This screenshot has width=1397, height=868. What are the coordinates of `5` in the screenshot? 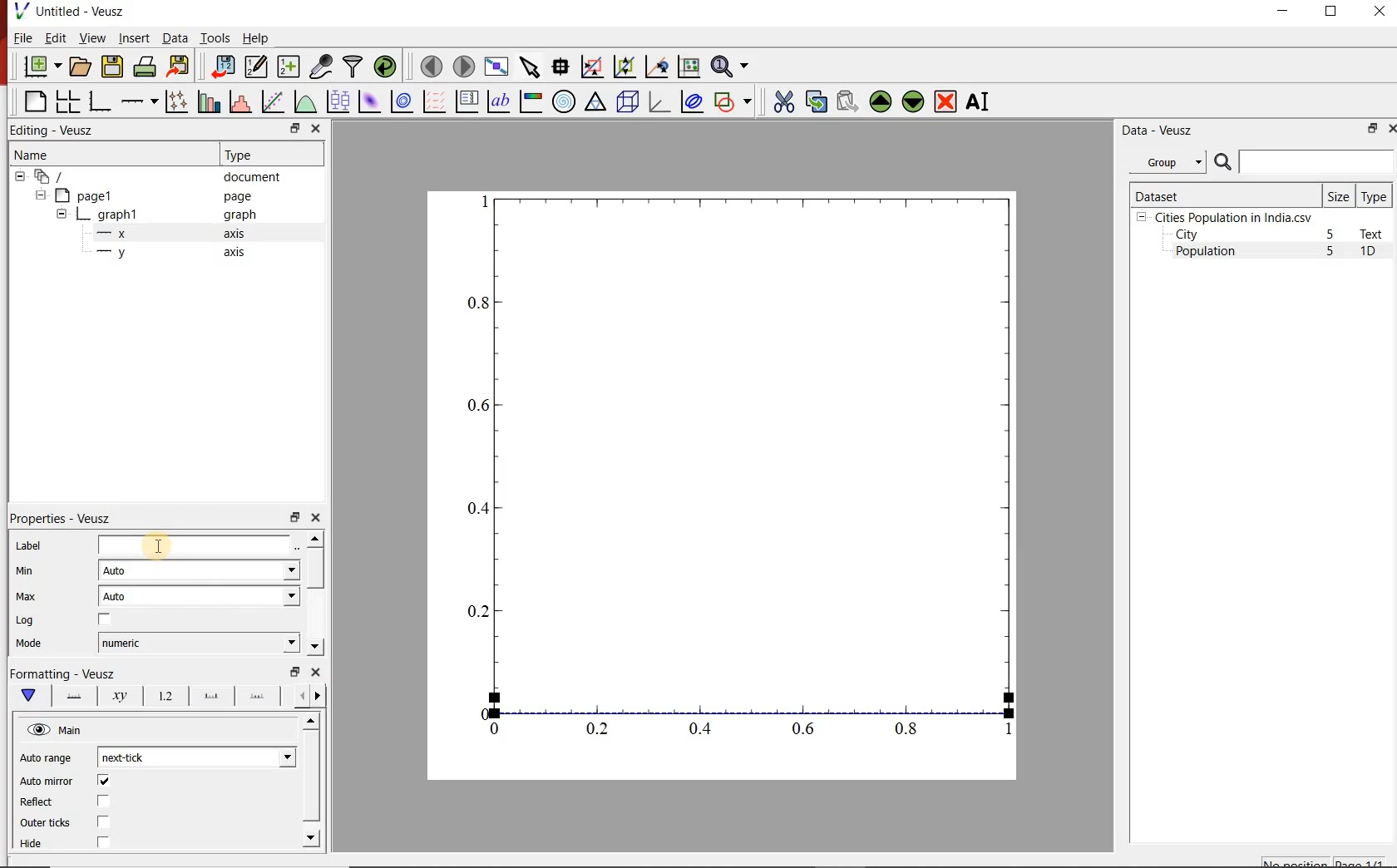 It's located at (1331, 252).